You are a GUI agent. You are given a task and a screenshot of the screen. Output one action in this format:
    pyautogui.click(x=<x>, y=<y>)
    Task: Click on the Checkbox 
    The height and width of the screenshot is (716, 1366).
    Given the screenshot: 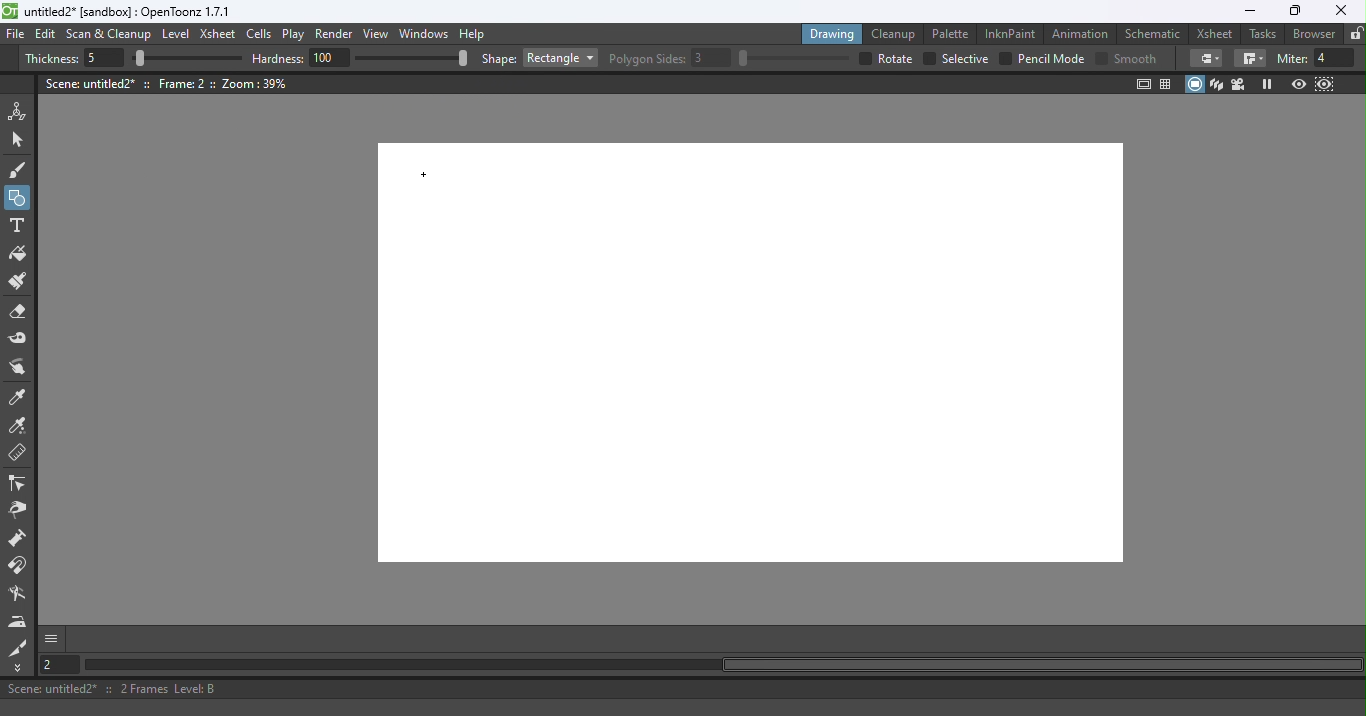 What is the action you would take?
    pyautogui.click(x=1101, y=57)
    